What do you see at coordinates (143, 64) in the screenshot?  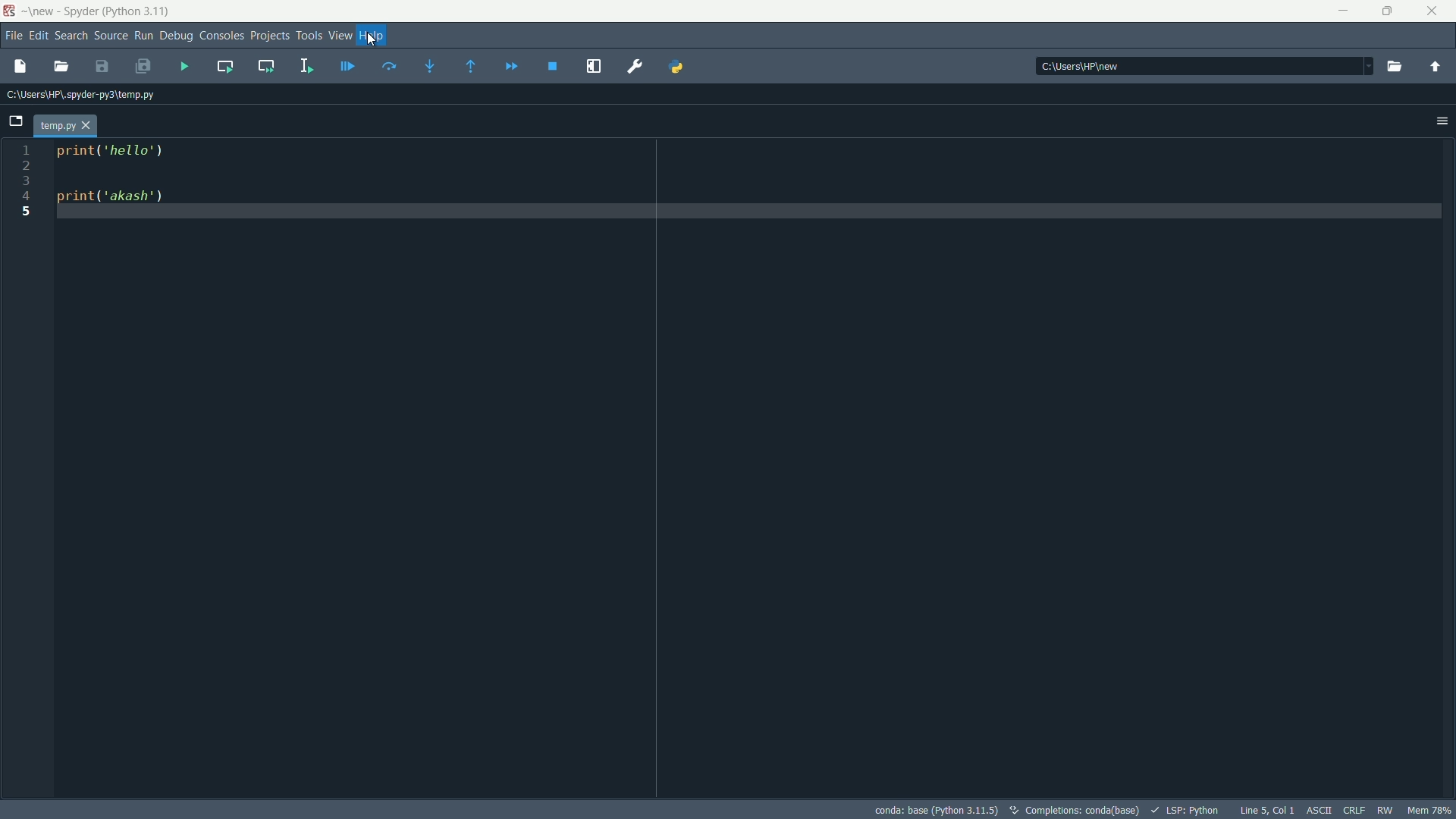 I see `save all files ` at bounding box center [143, 64].